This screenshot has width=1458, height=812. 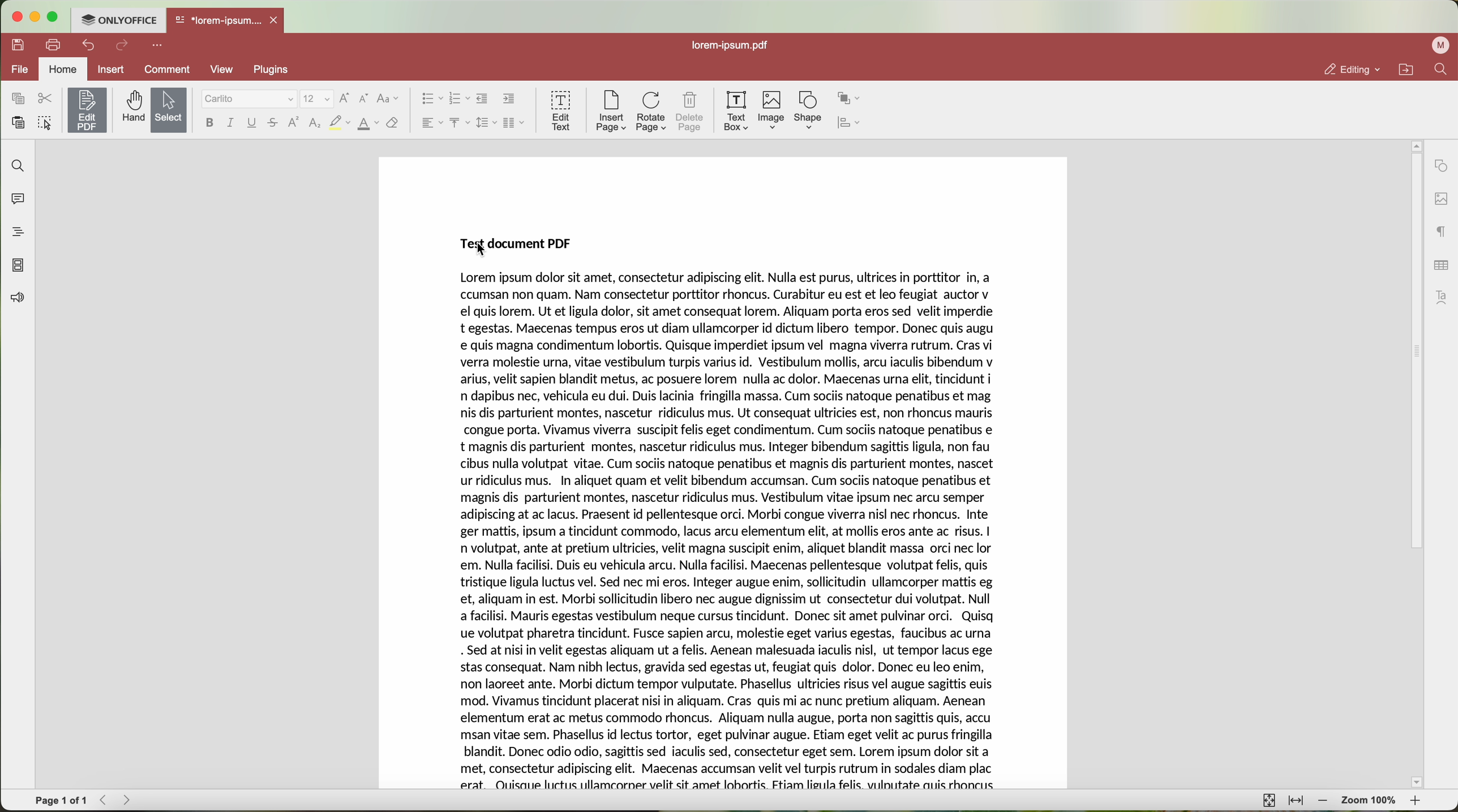 I want to click on select all, so click(x=45, y=122).